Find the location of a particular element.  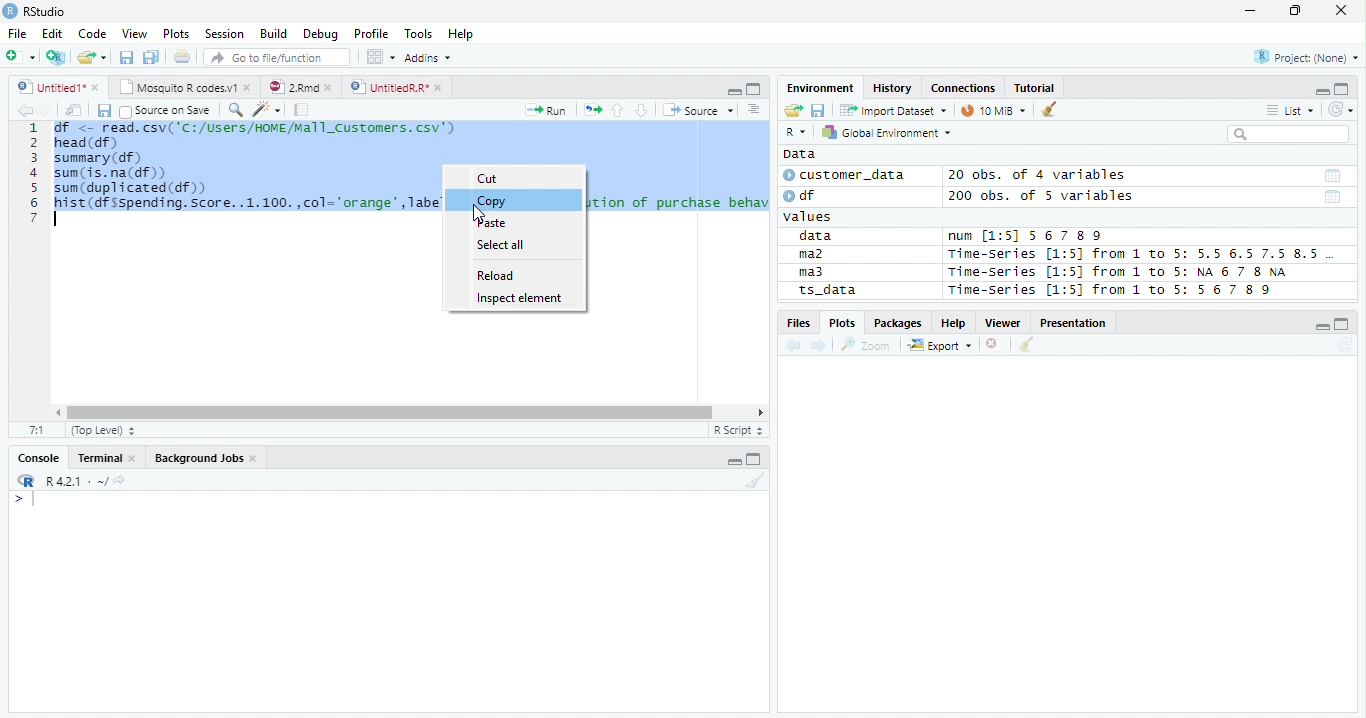

Cut is located at coordinates (490, 178).